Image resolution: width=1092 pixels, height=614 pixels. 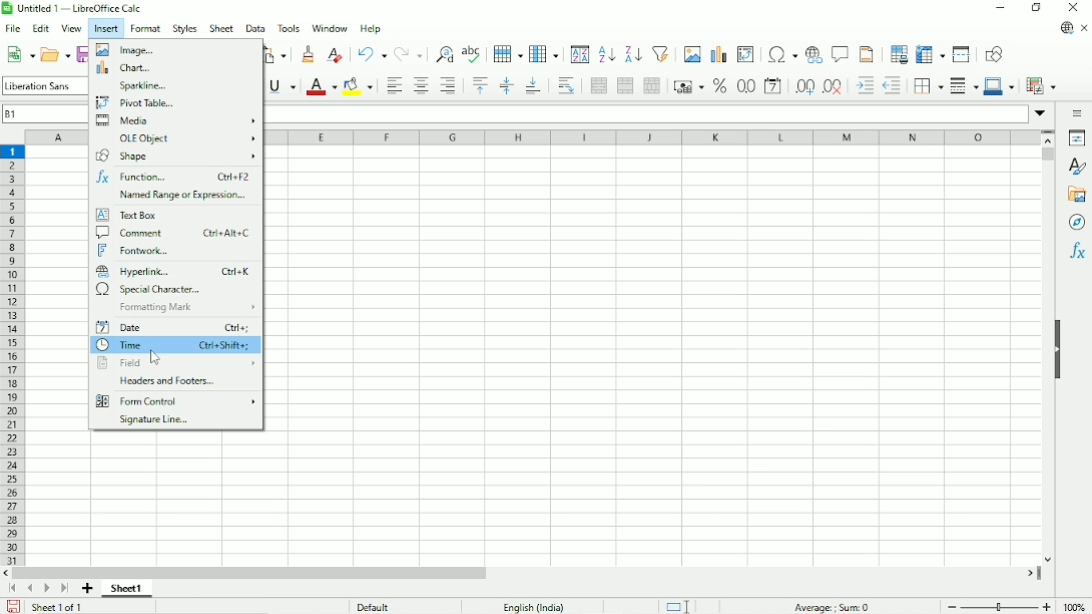 What do you see at coordinates (175, 233) in the screenshot?
I see `Comment` at bounding box center [175, 233].